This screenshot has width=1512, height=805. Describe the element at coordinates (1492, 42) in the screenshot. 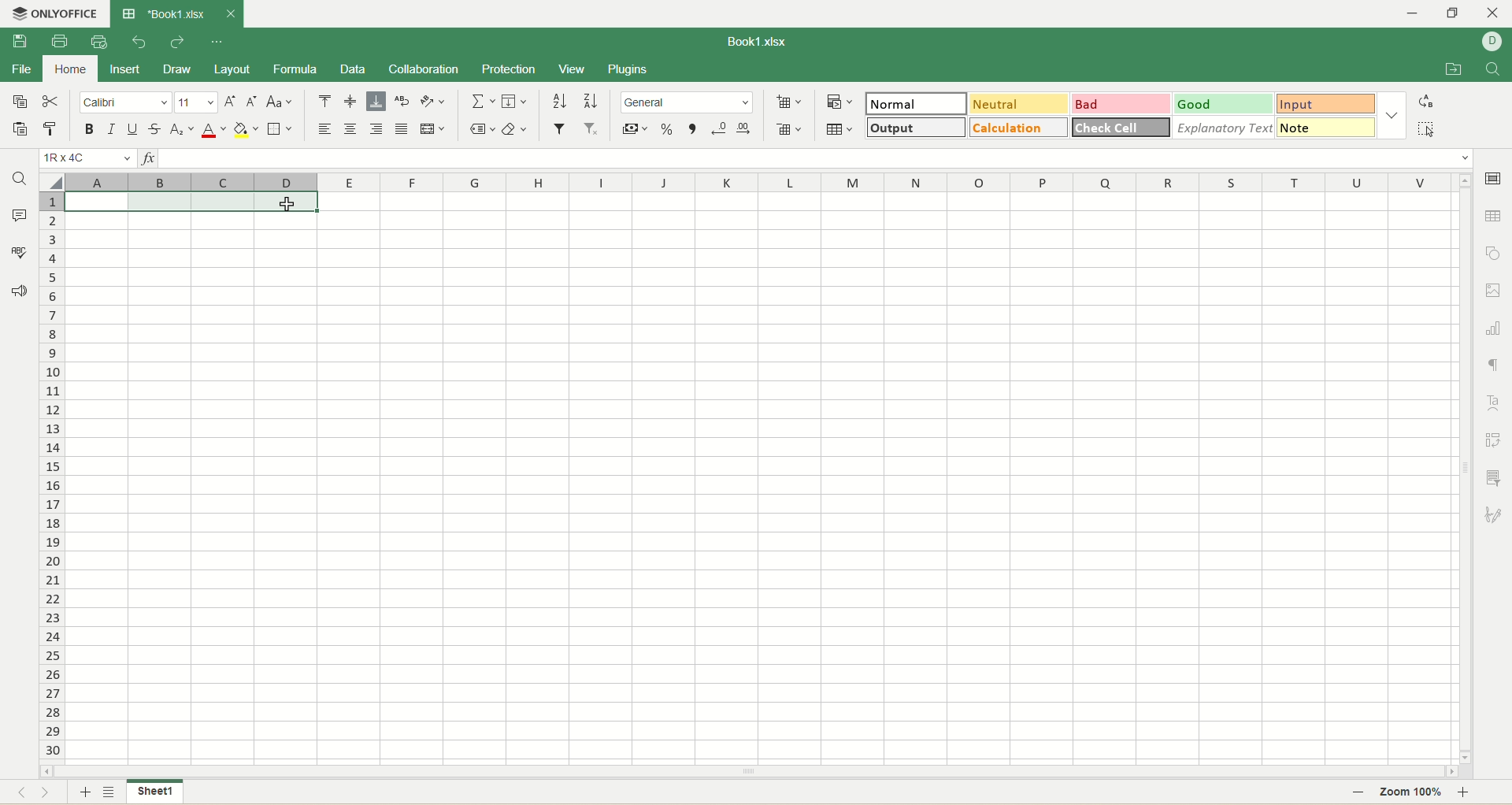

I see `username` at that location.